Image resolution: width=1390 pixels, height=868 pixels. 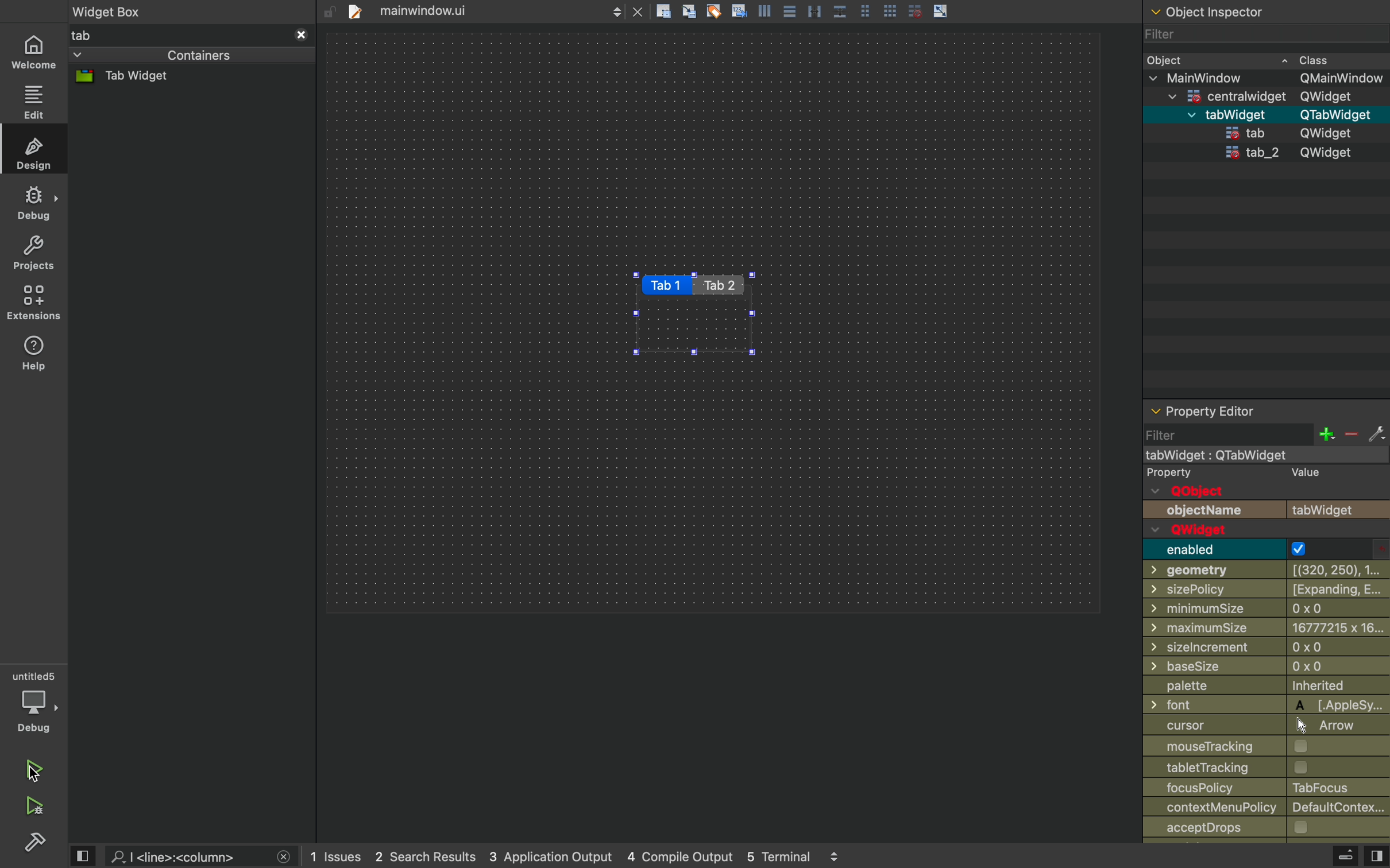 I want to click on align left, so click(x=764, y=10).